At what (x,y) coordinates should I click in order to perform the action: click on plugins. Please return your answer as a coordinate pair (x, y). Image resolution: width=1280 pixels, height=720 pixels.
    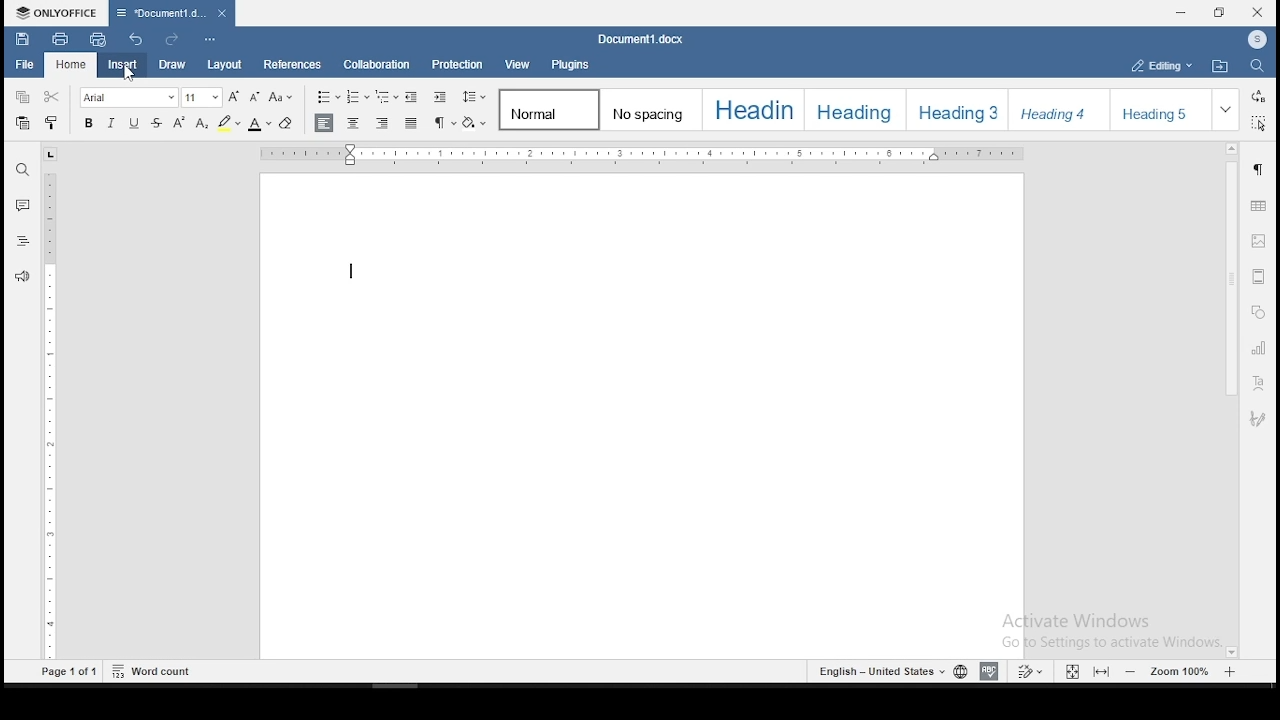
    Looking at the image, I should click on (571, 63).